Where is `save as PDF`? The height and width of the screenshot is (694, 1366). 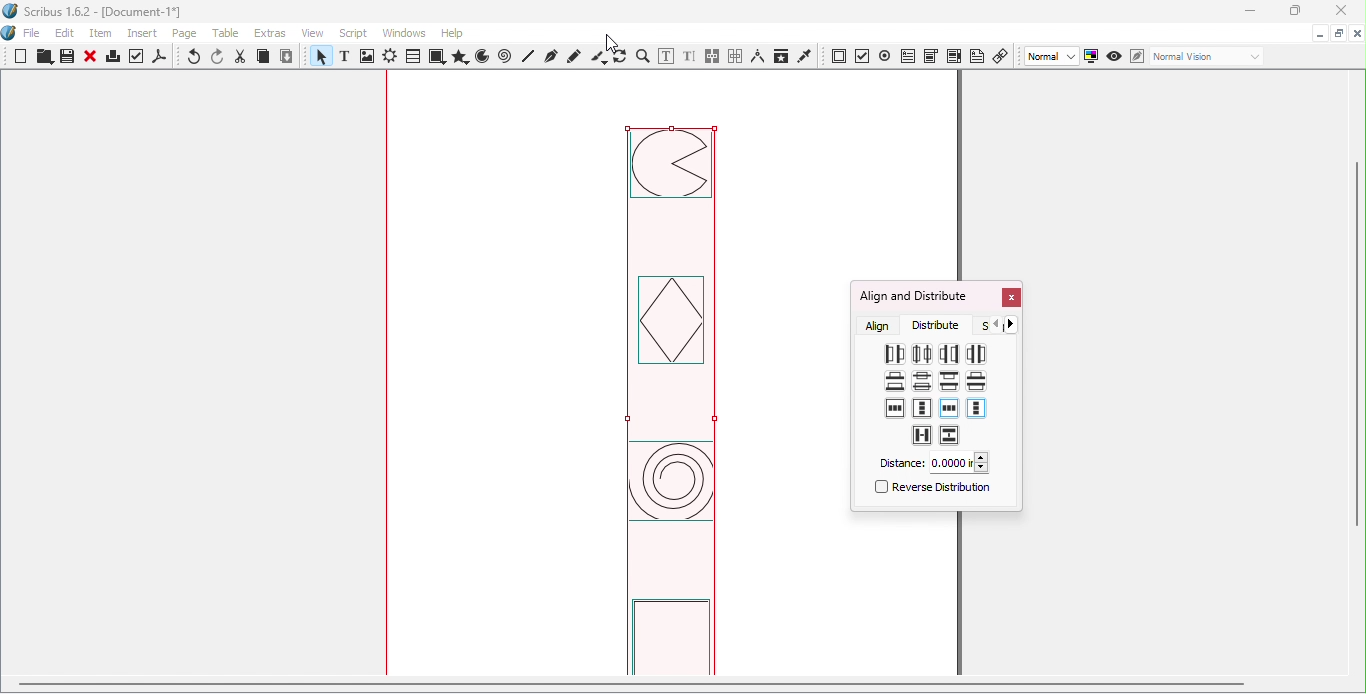
save as PDF is located at coordinates (161, 59).